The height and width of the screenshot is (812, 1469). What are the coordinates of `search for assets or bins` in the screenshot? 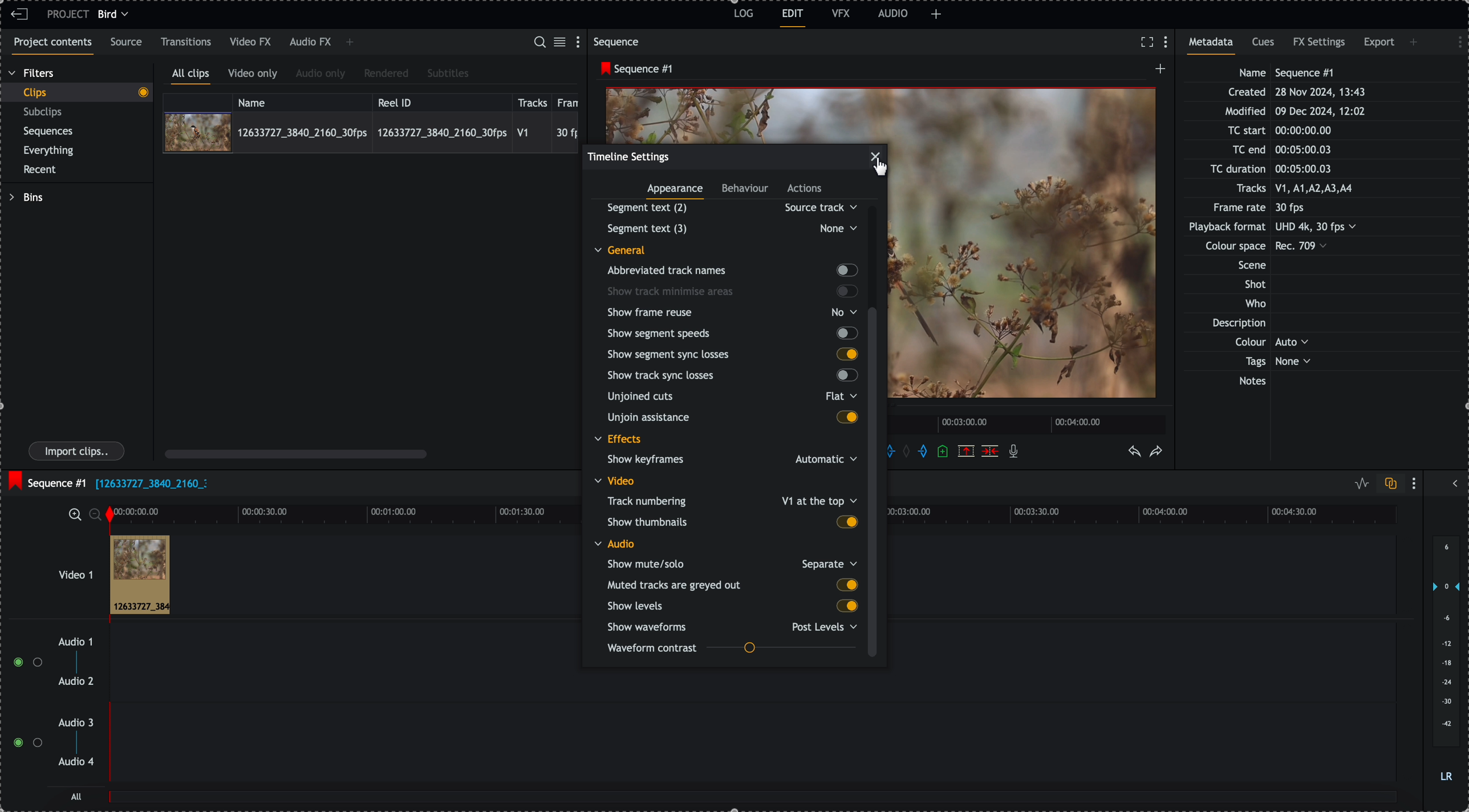 It's located at (539, 43).